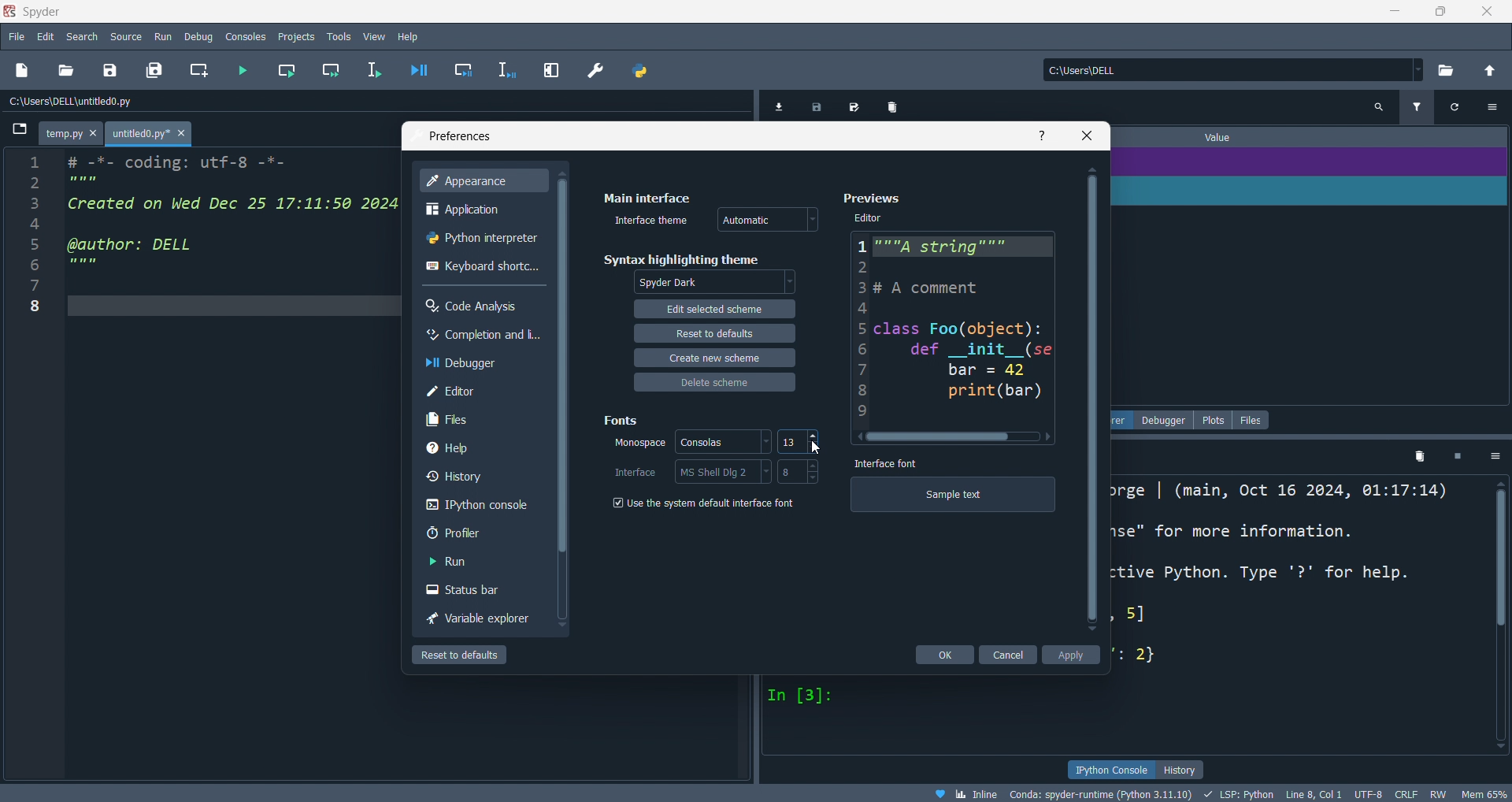 This screenshot has height=802, width=1512. Describe the element at coordinates (153, 69) in the screenshot. I see `save all file` at that location.